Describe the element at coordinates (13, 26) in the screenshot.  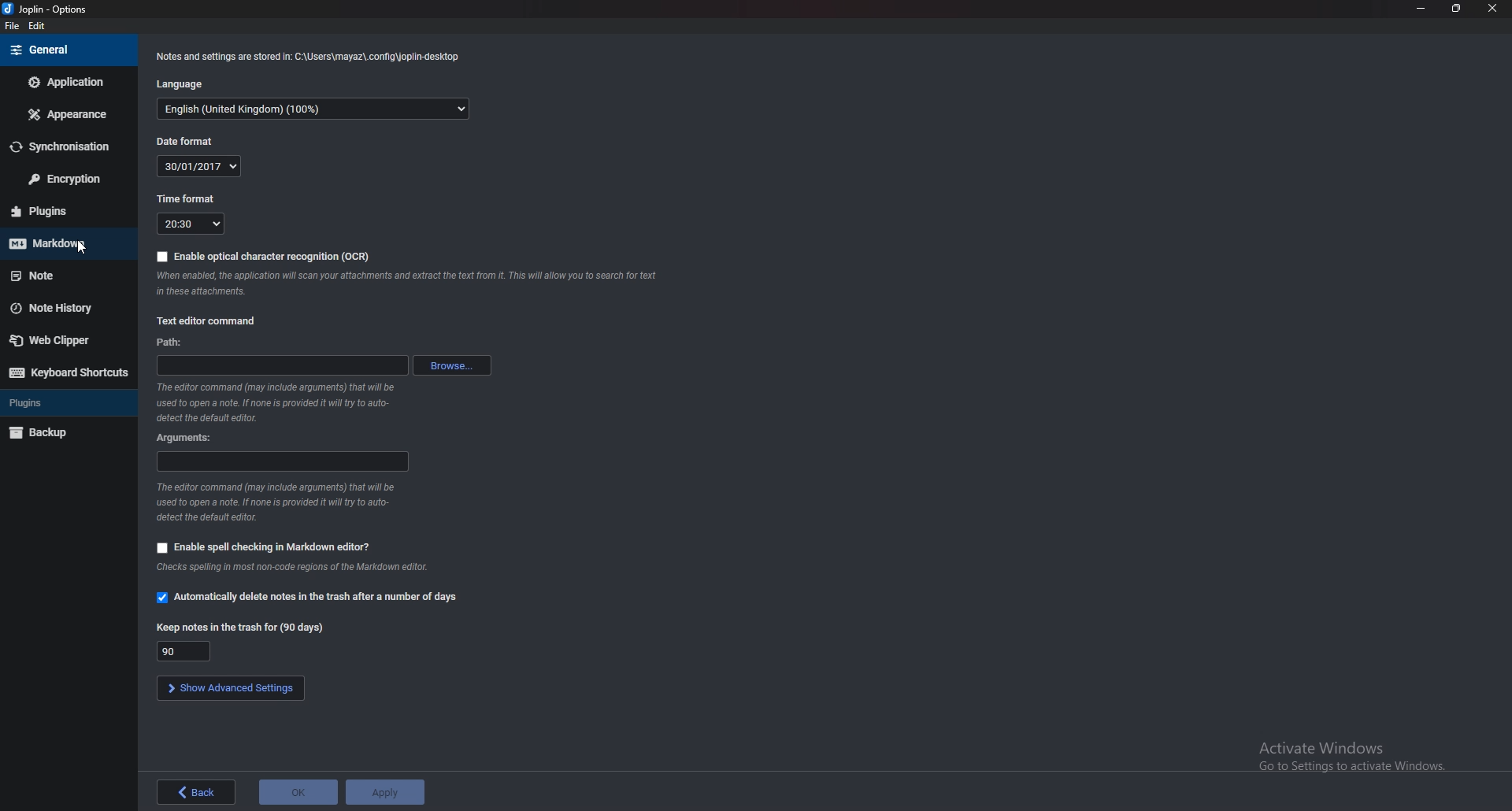
I see `file` at that location.